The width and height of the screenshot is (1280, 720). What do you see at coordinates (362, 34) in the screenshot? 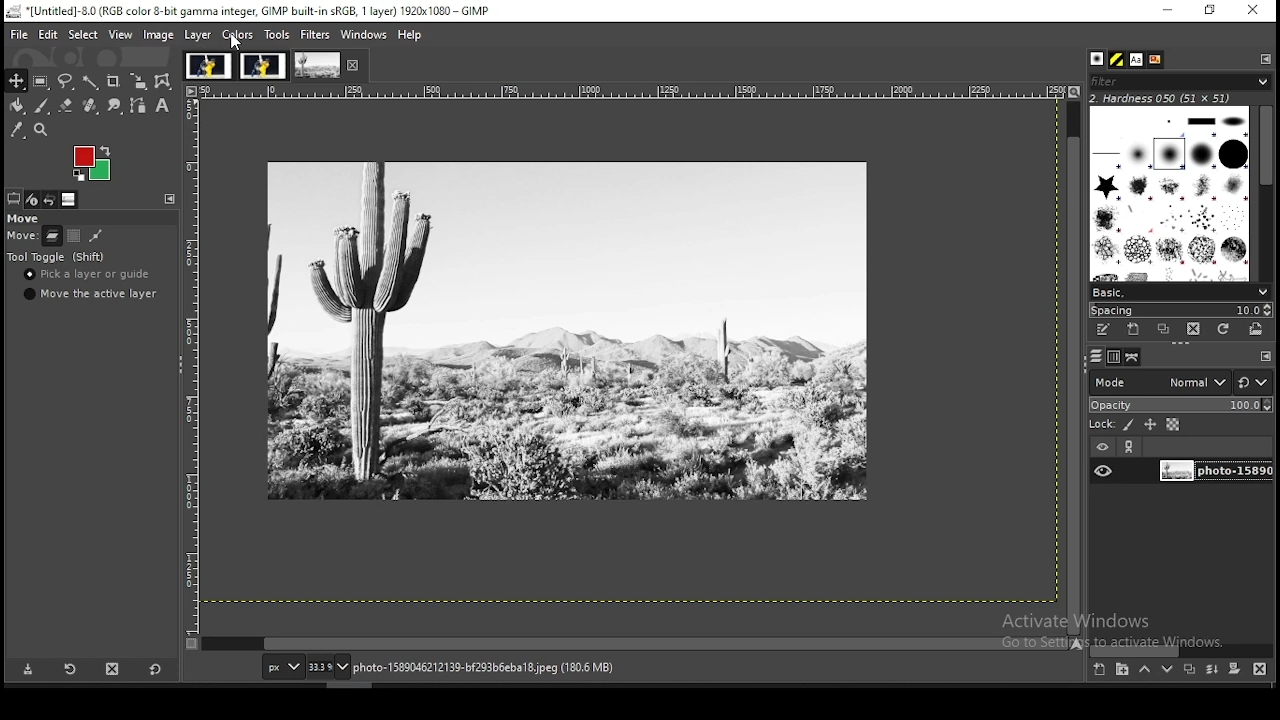
I see `windows` at bounding box center [362, 34].